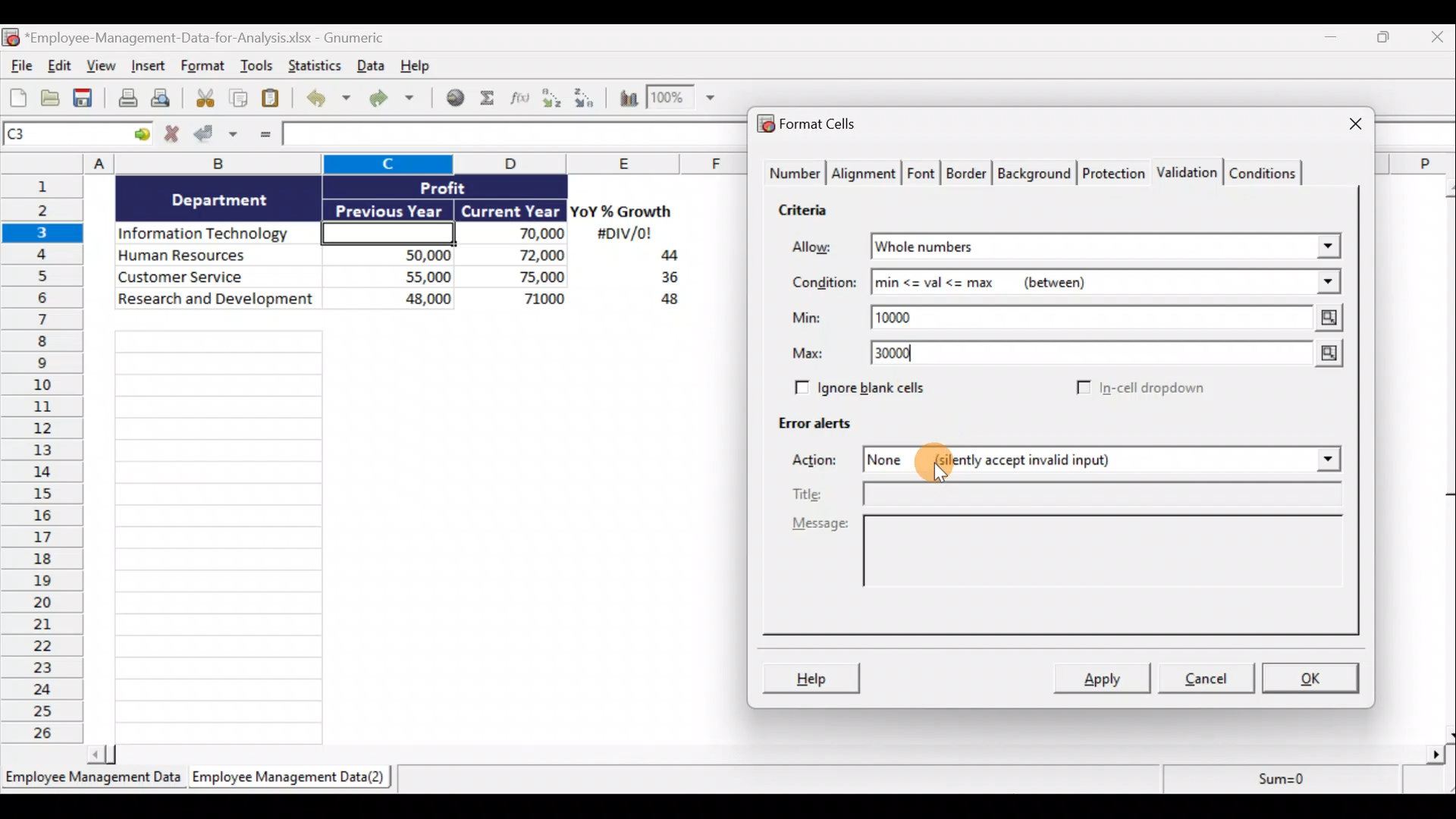 The width and height of the screenshot is (1456, 819). Describe the element at coordinates (18, 67) in the screenshot. I see `File` at that location.